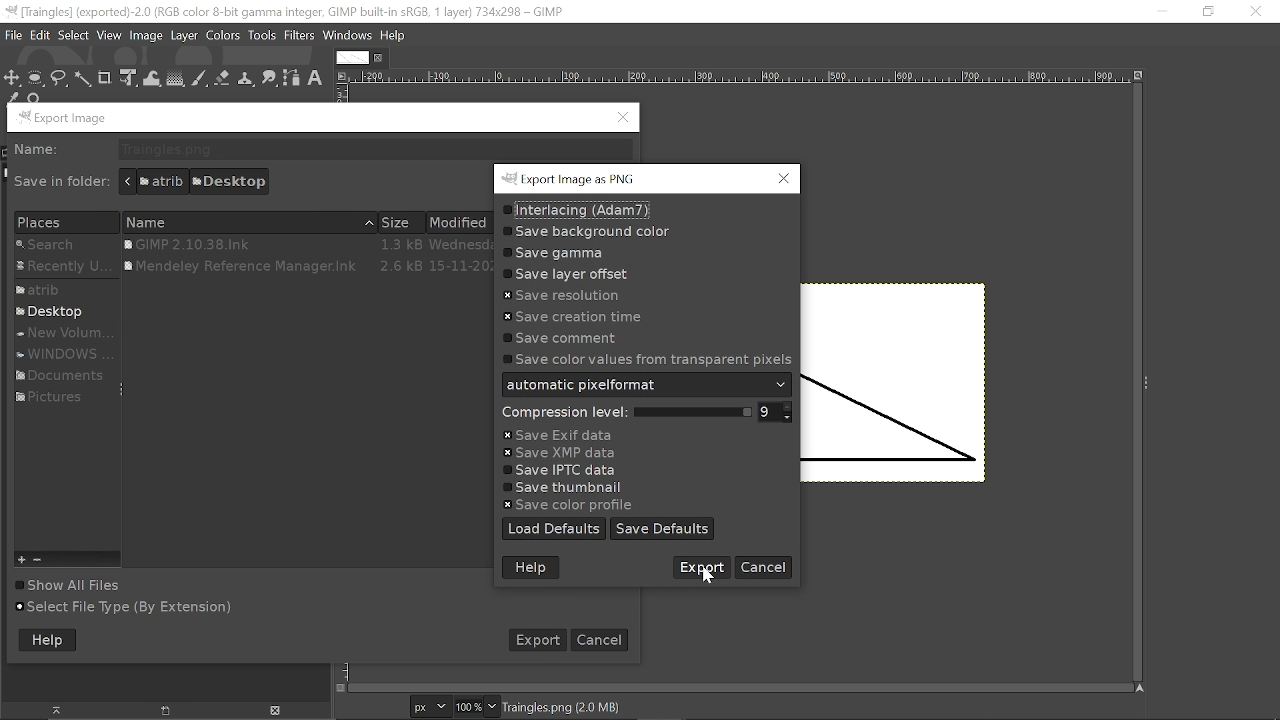  What do you see at coordinates (564, 471) in the screenshot?
I see `Save IPTC data` at bounding box center [564, 471].